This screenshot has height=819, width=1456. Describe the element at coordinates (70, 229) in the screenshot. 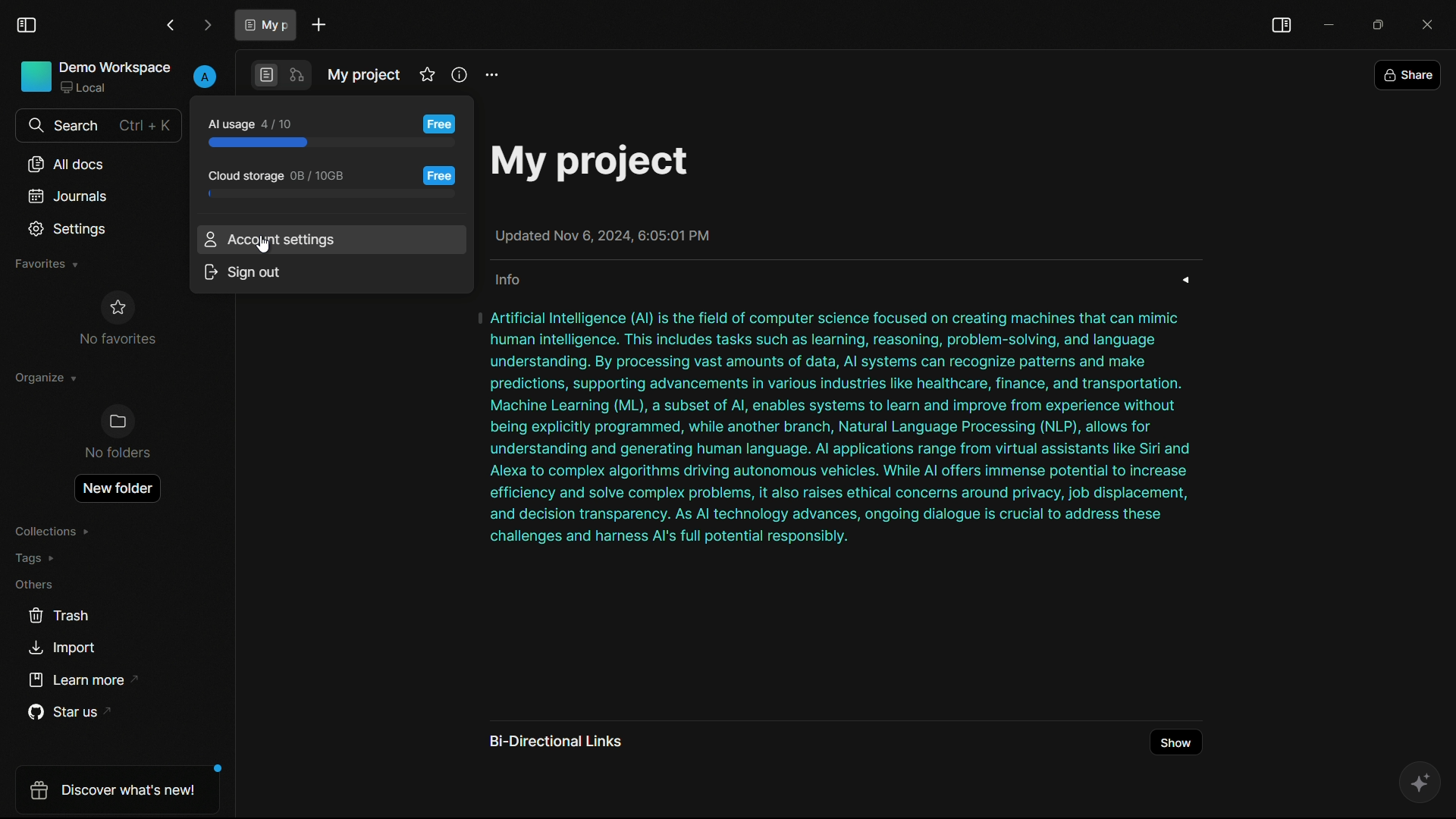

I see `settings` at that location.